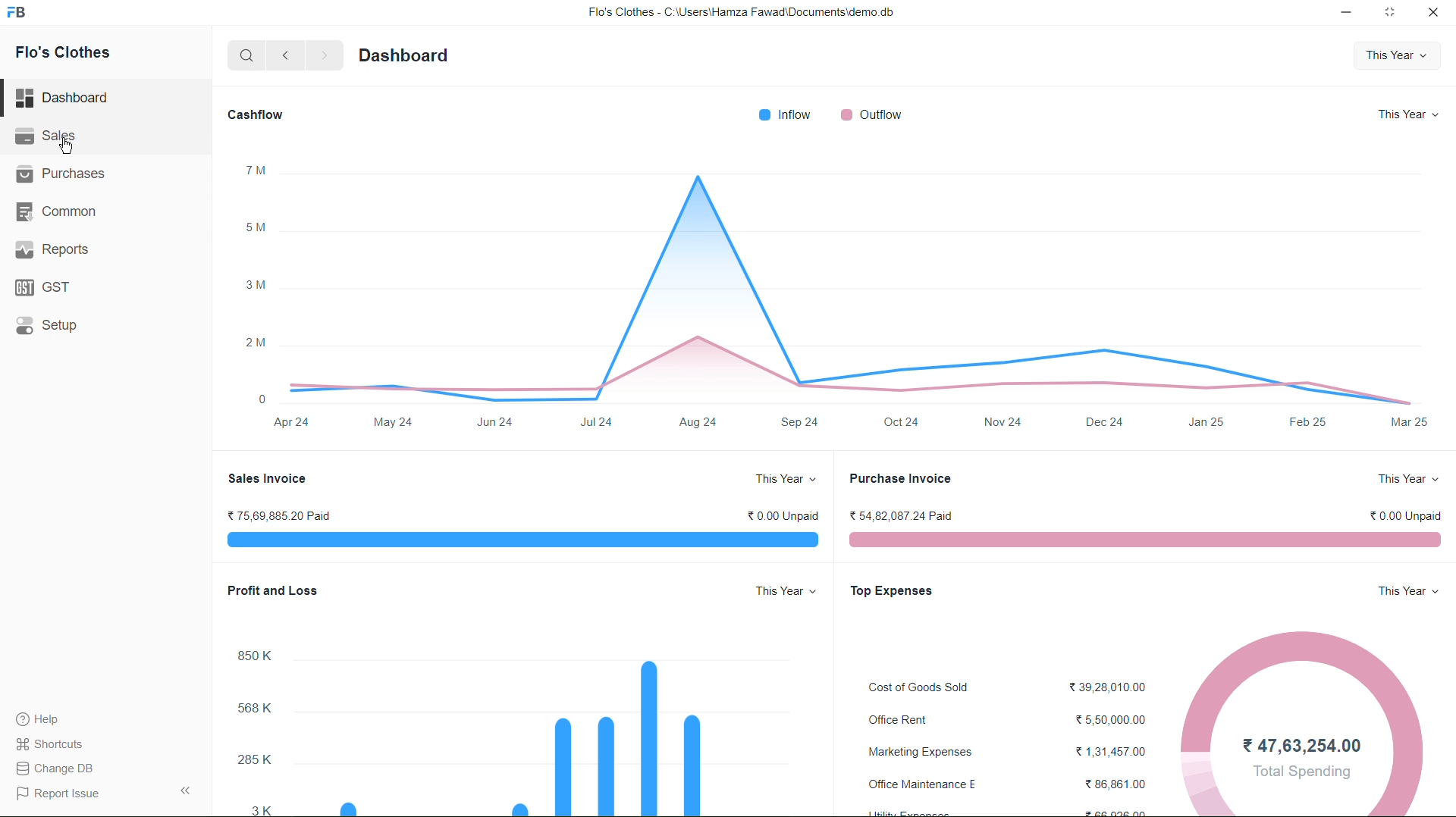  Describe the element at coordinates (274, 592) in the screenshot. I see `Profit and Loss` at that location.